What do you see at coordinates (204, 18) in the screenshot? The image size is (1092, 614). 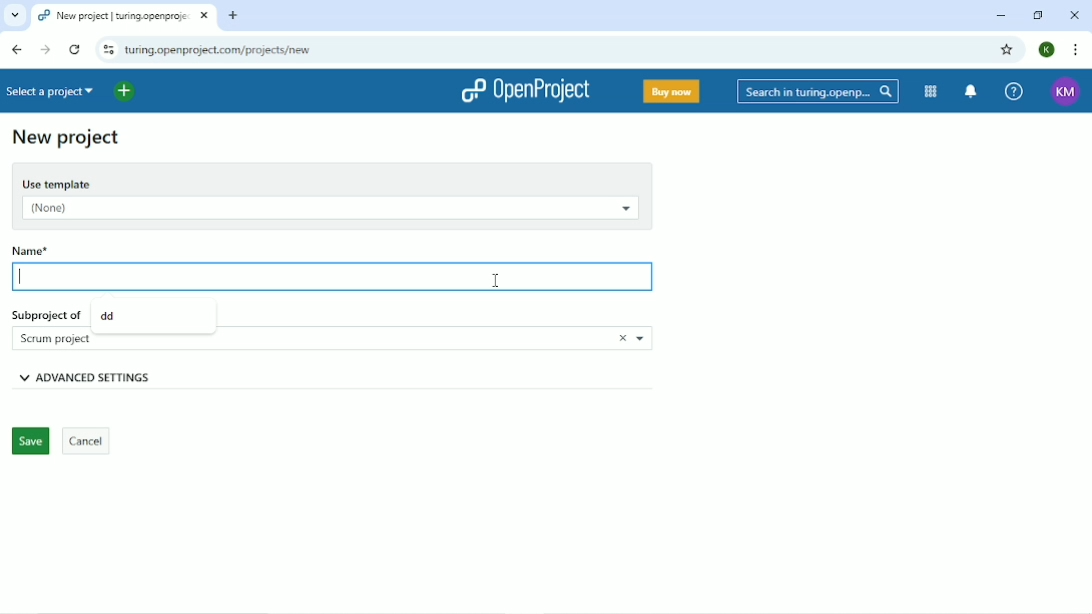 I see `close` at bounding box center [204, 18].